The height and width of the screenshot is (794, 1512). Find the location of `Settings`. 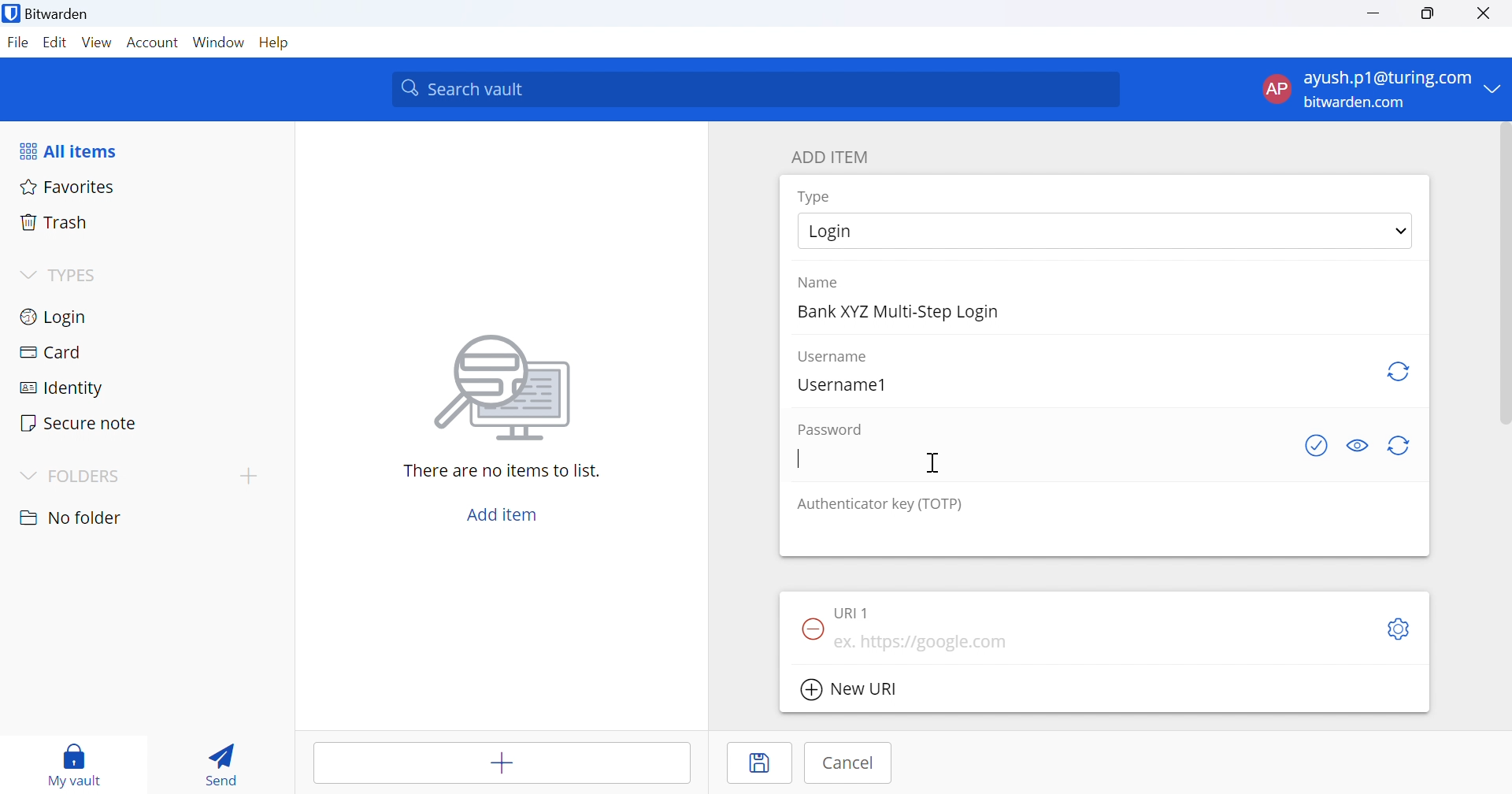

Settings is located at coordinates (1401, 629).